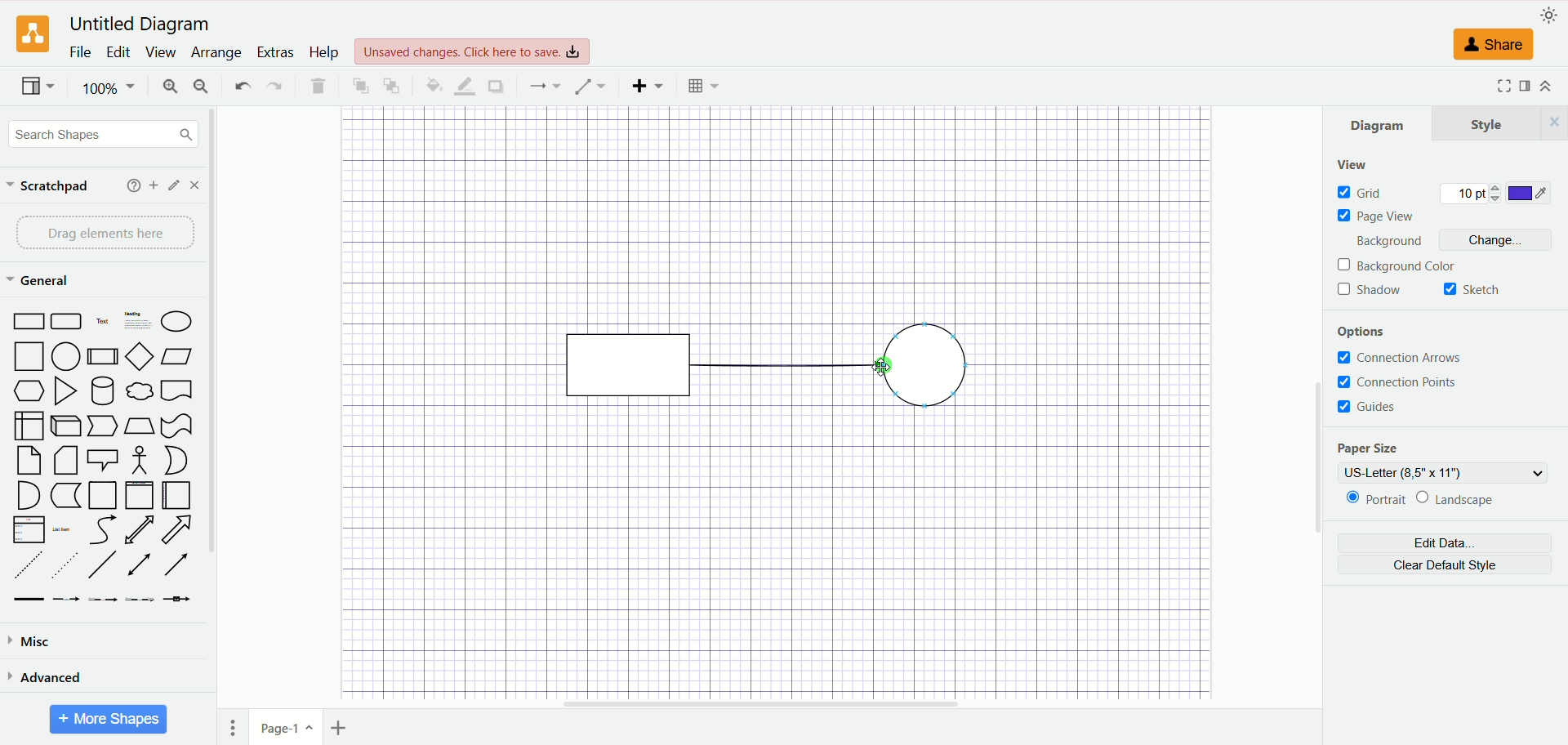  What do you see at coordinates (1379, 124) in the screenshot?
I see `diagram` at bounding box center [1379, 124].